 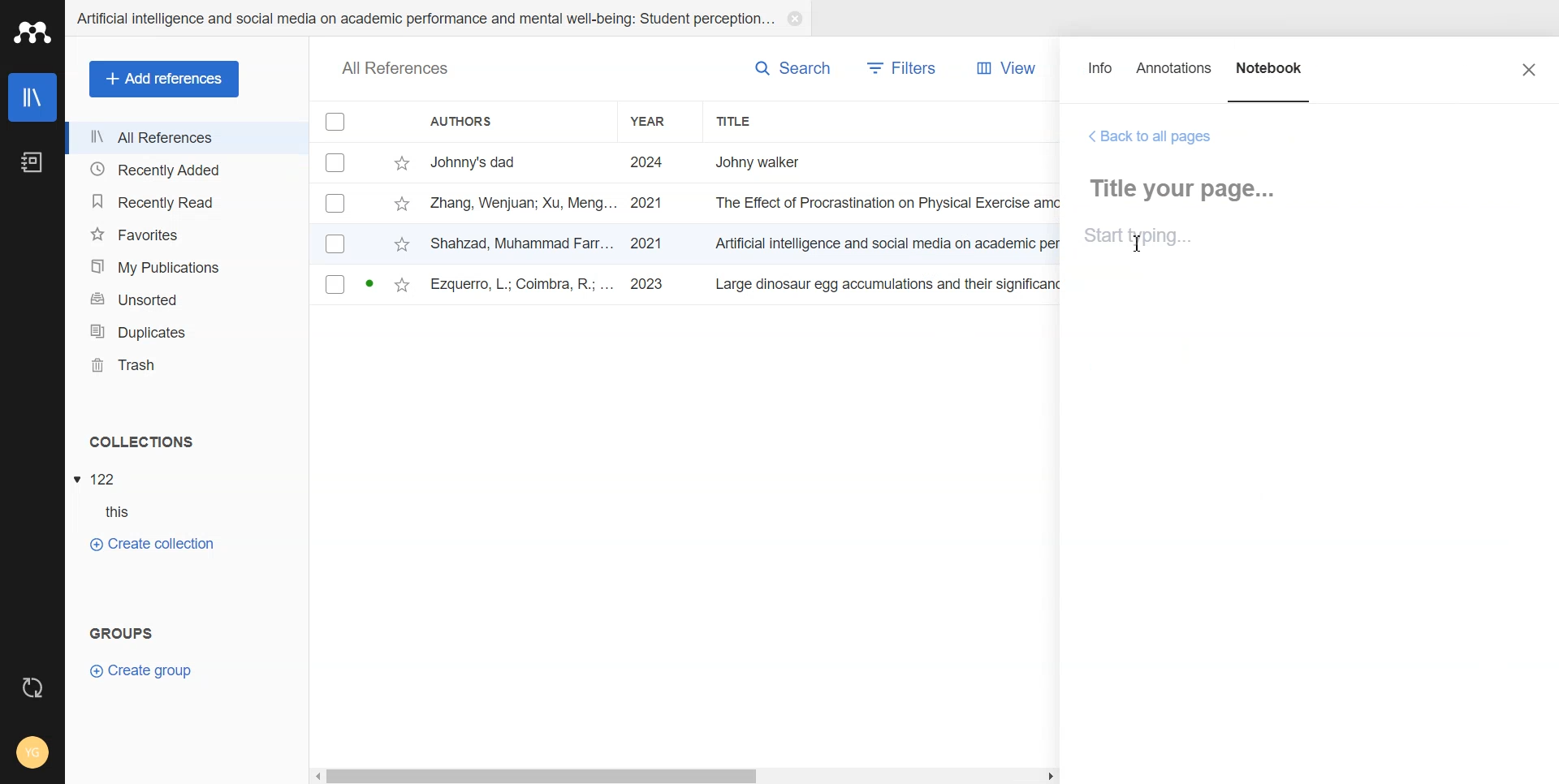 I want to click on start typing..., so click(x=1142, y=239).